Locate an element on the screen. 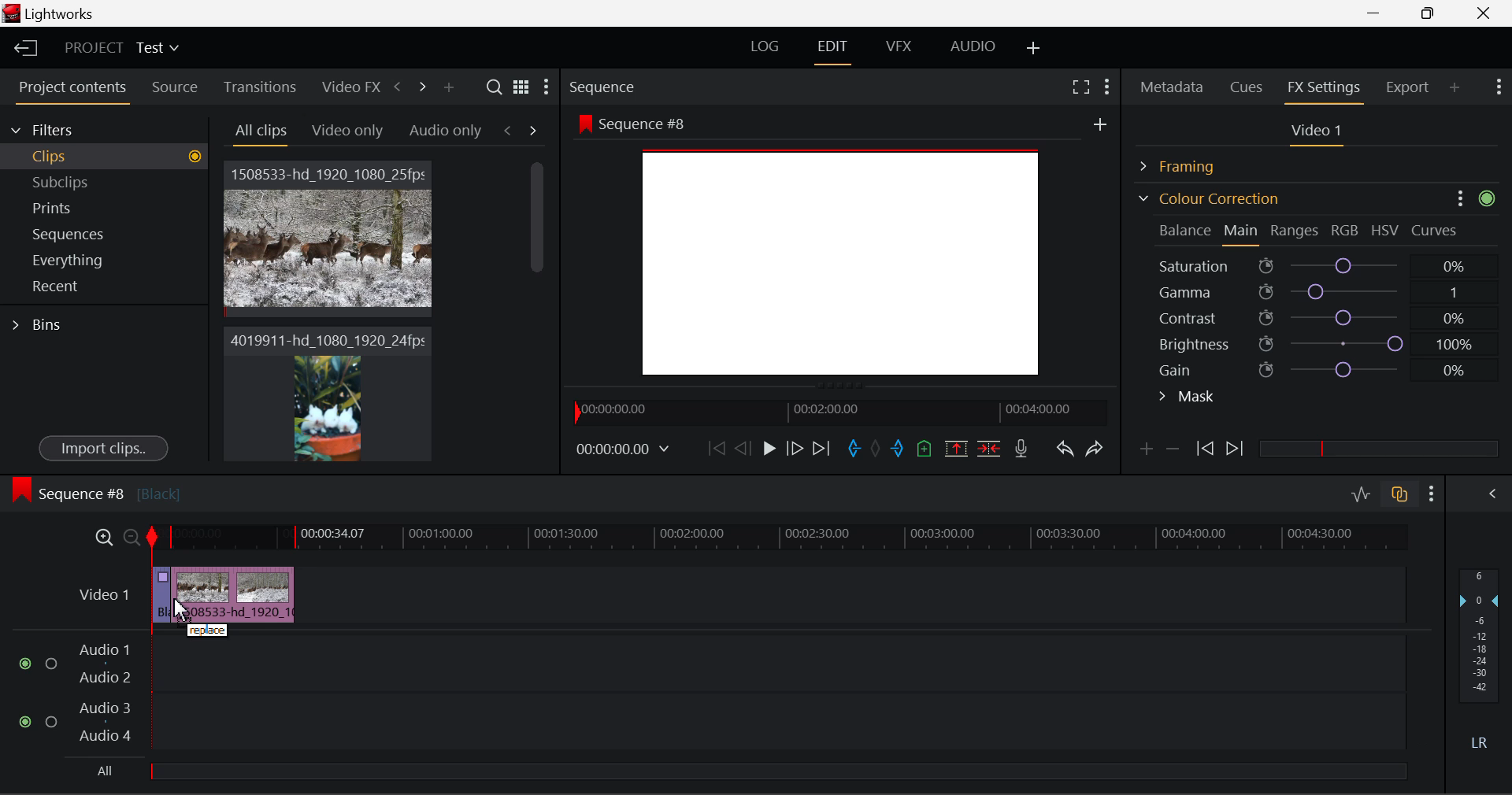  Previous keyframe is located at coordinates (1203, 449).